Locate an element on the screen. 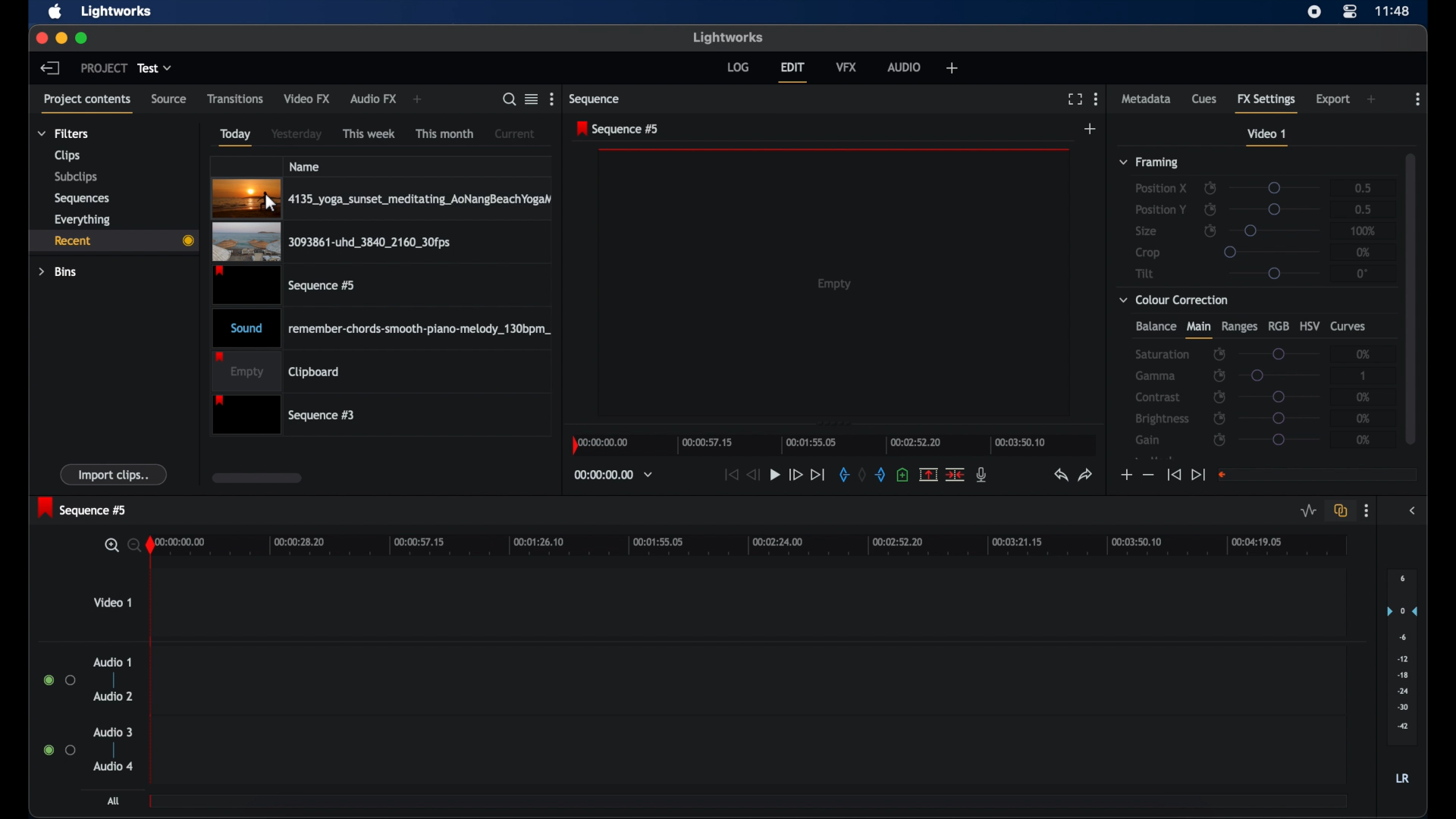  log is located at coordinates (738, 66).